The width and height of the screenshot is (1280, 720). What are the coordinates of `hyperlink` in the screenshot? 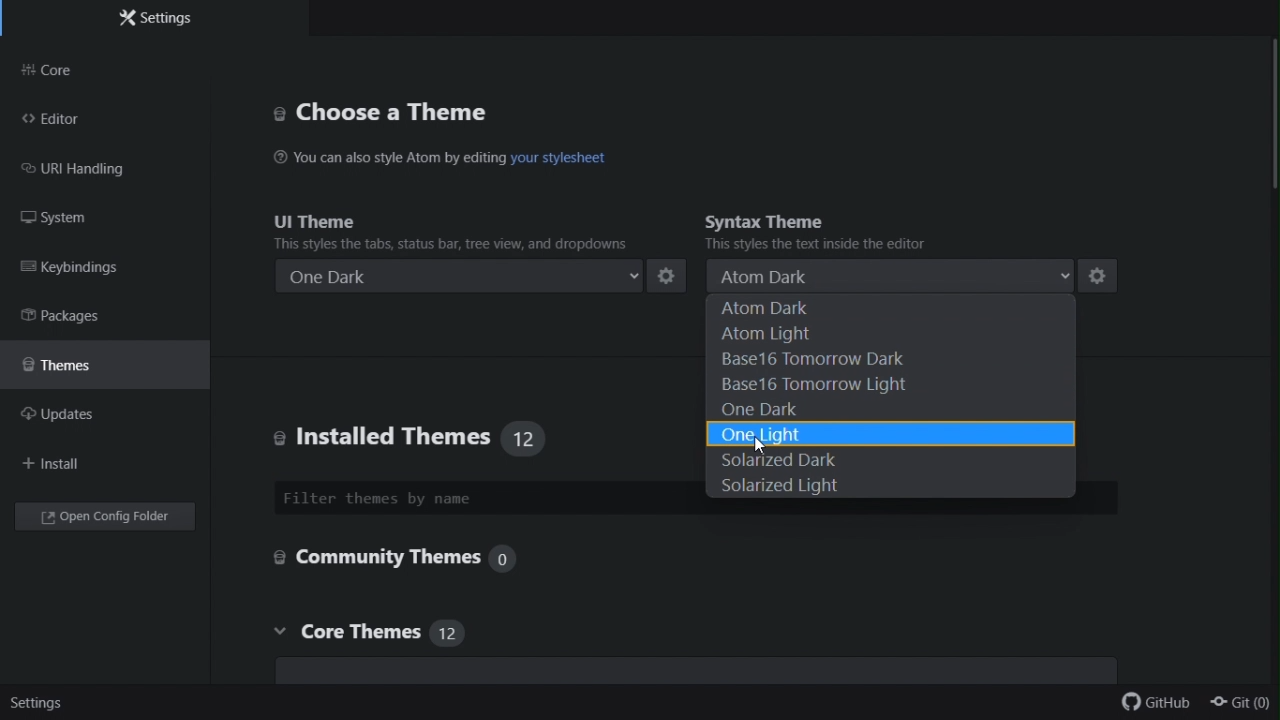 It's located at (561, 158).